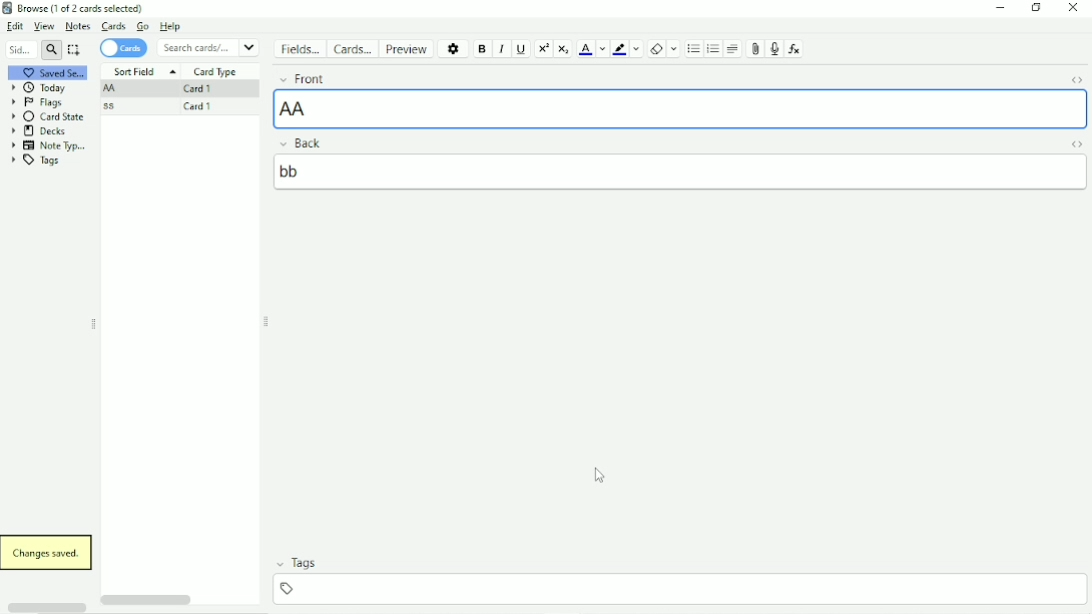  Describe the element at coordinates (299, 51) in the screenshot. I see `Fields` at that location.